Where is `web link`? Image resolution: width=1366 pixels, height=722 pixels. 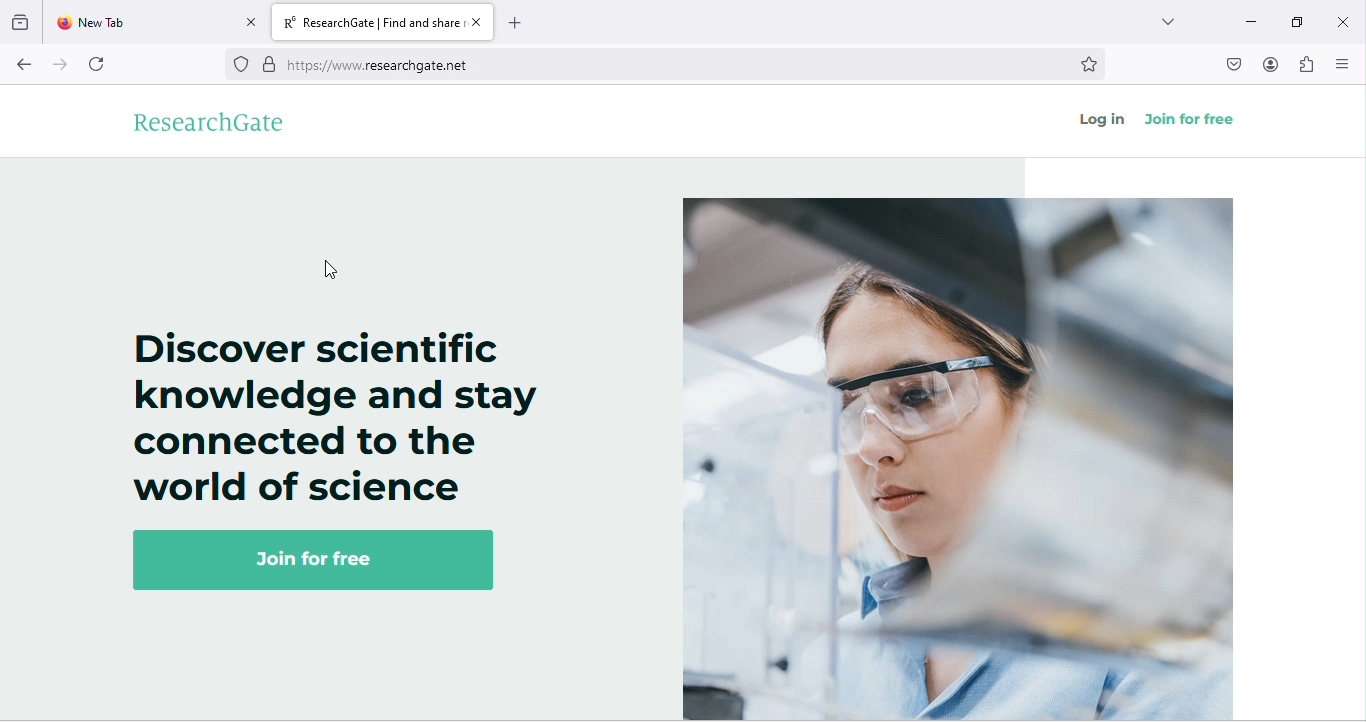
web link is located at coordinates (640, 64).